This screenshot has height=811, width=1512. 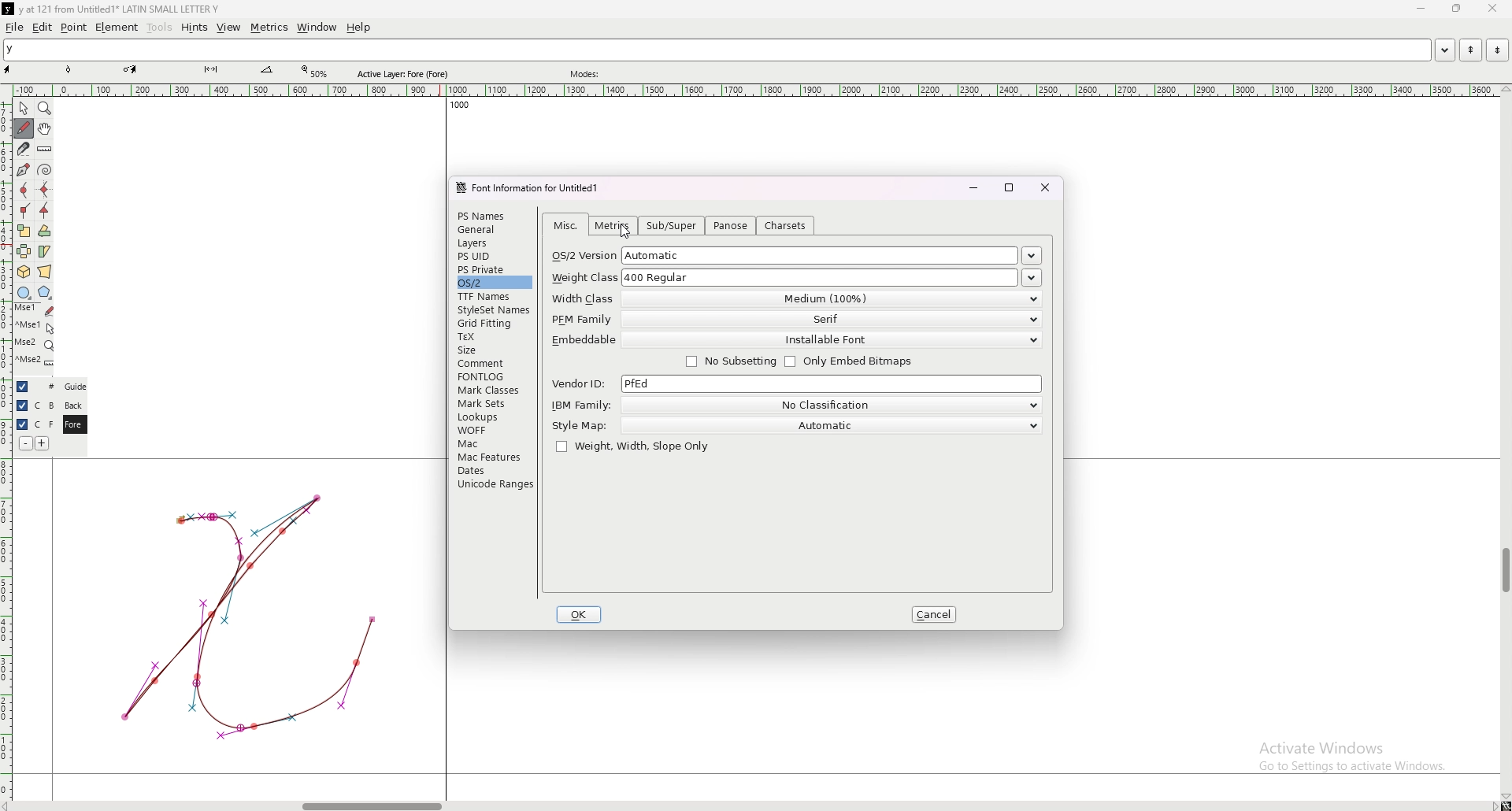 What do you see at coordinates (24, 251) in the screenshot?
I see `flip the selection` at bounding box center [24, 251].